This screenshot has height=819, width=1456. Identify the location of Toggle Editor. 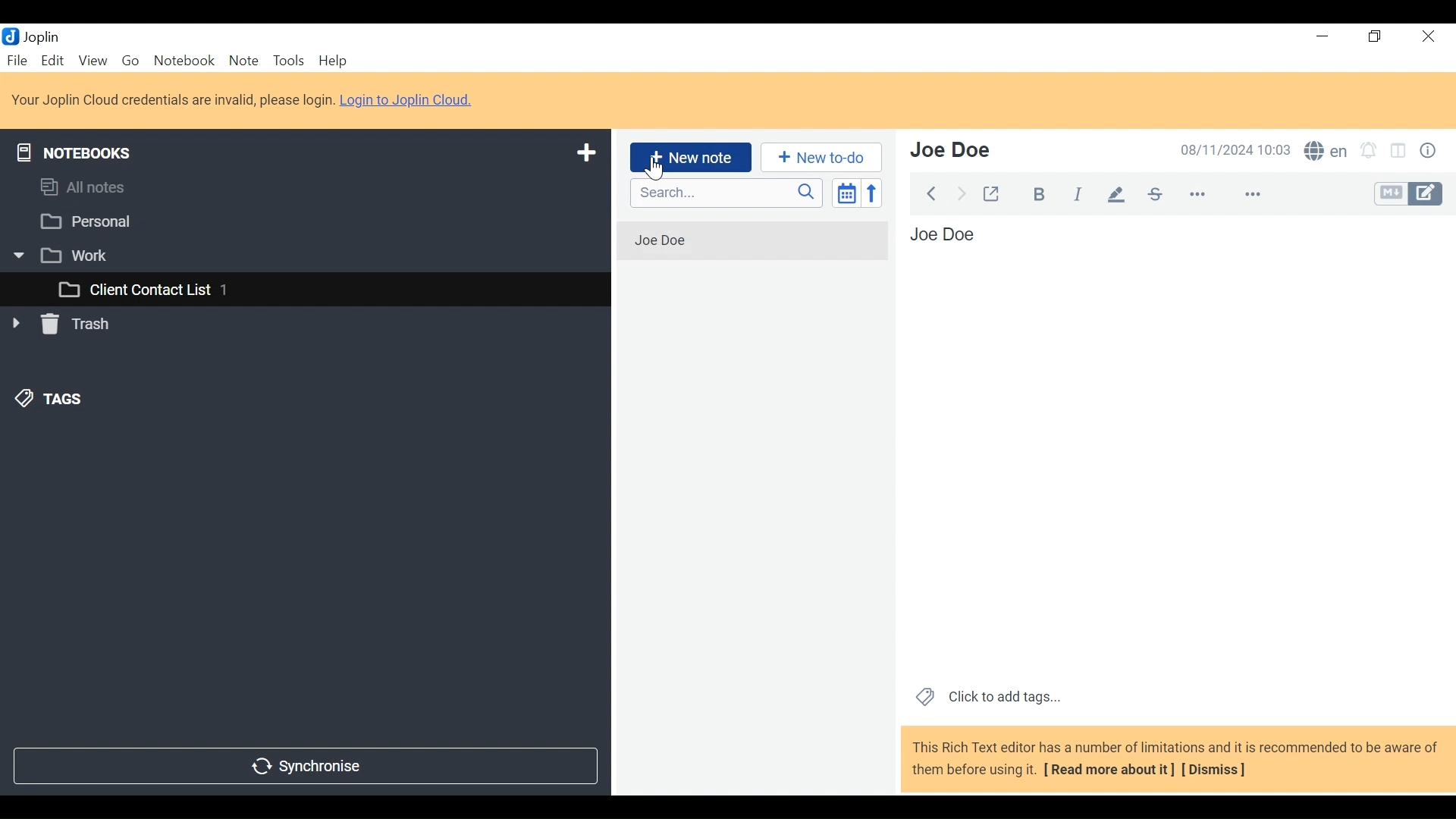
(1409, 193).